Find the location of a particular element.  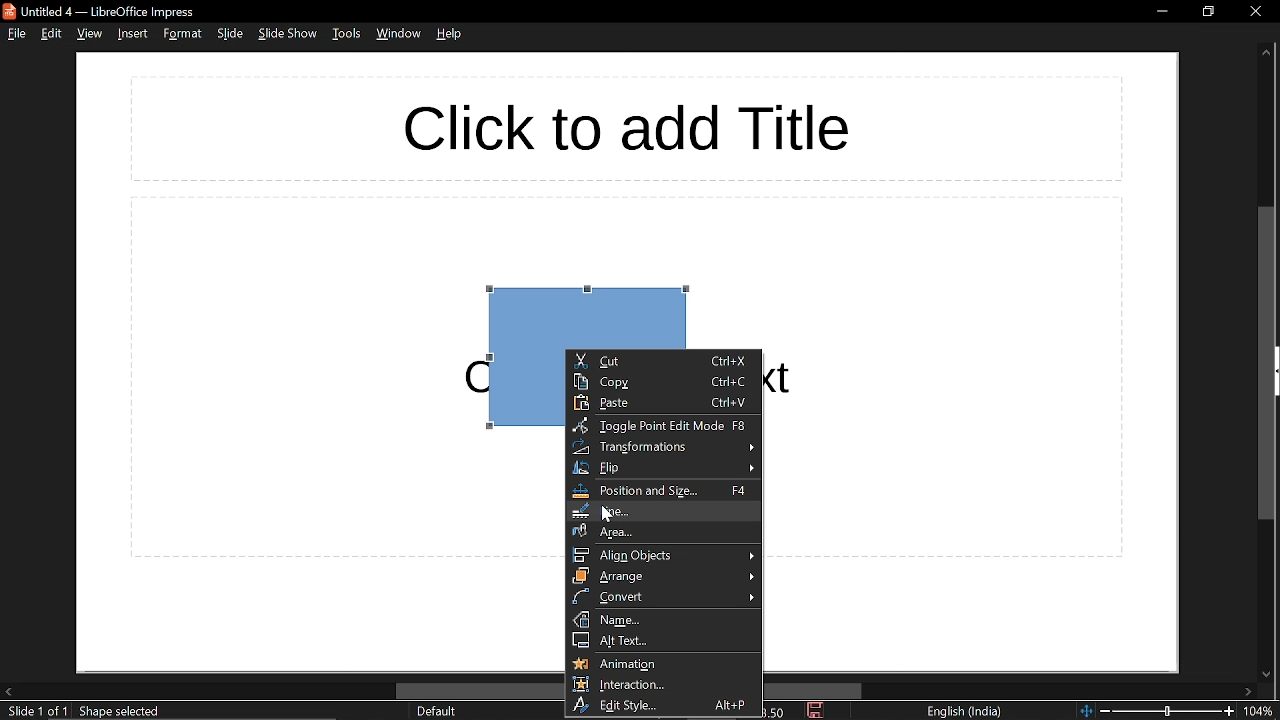

current slide is located at coordinates (36, 711).